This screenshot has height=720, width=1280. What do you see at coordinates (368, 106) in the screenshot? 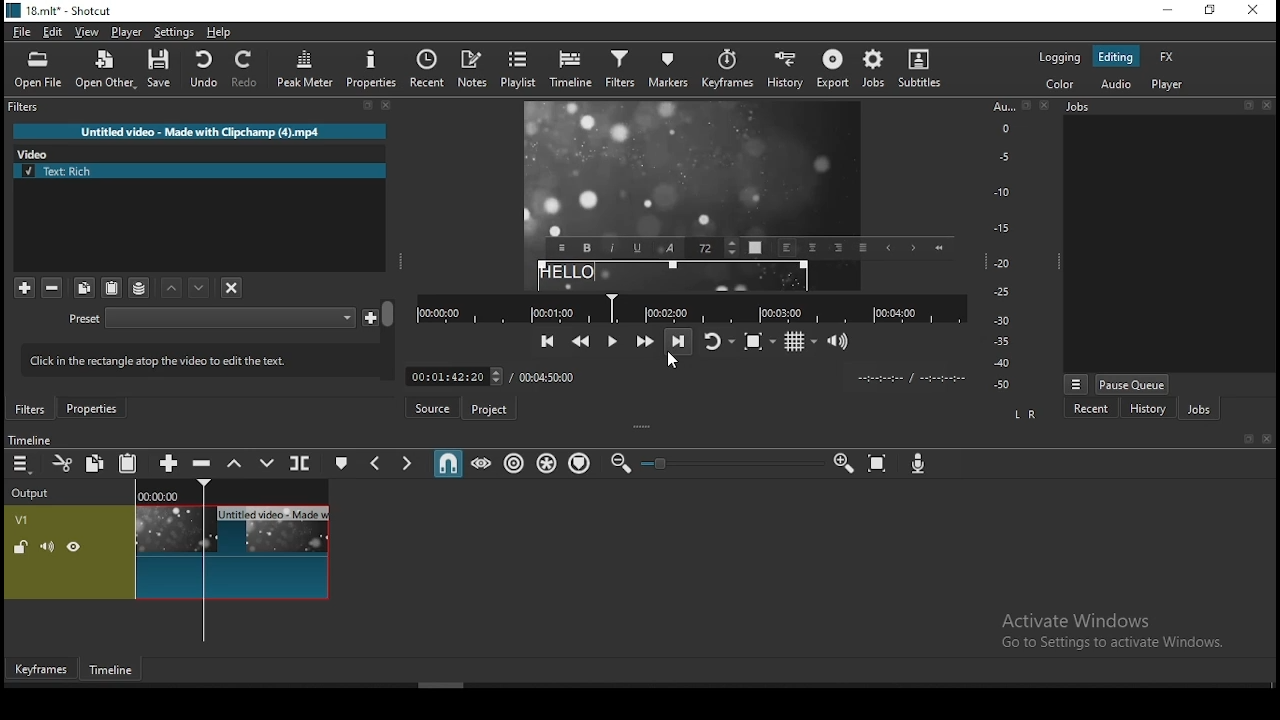
I see `Detach` at bounding box center [368, 106].